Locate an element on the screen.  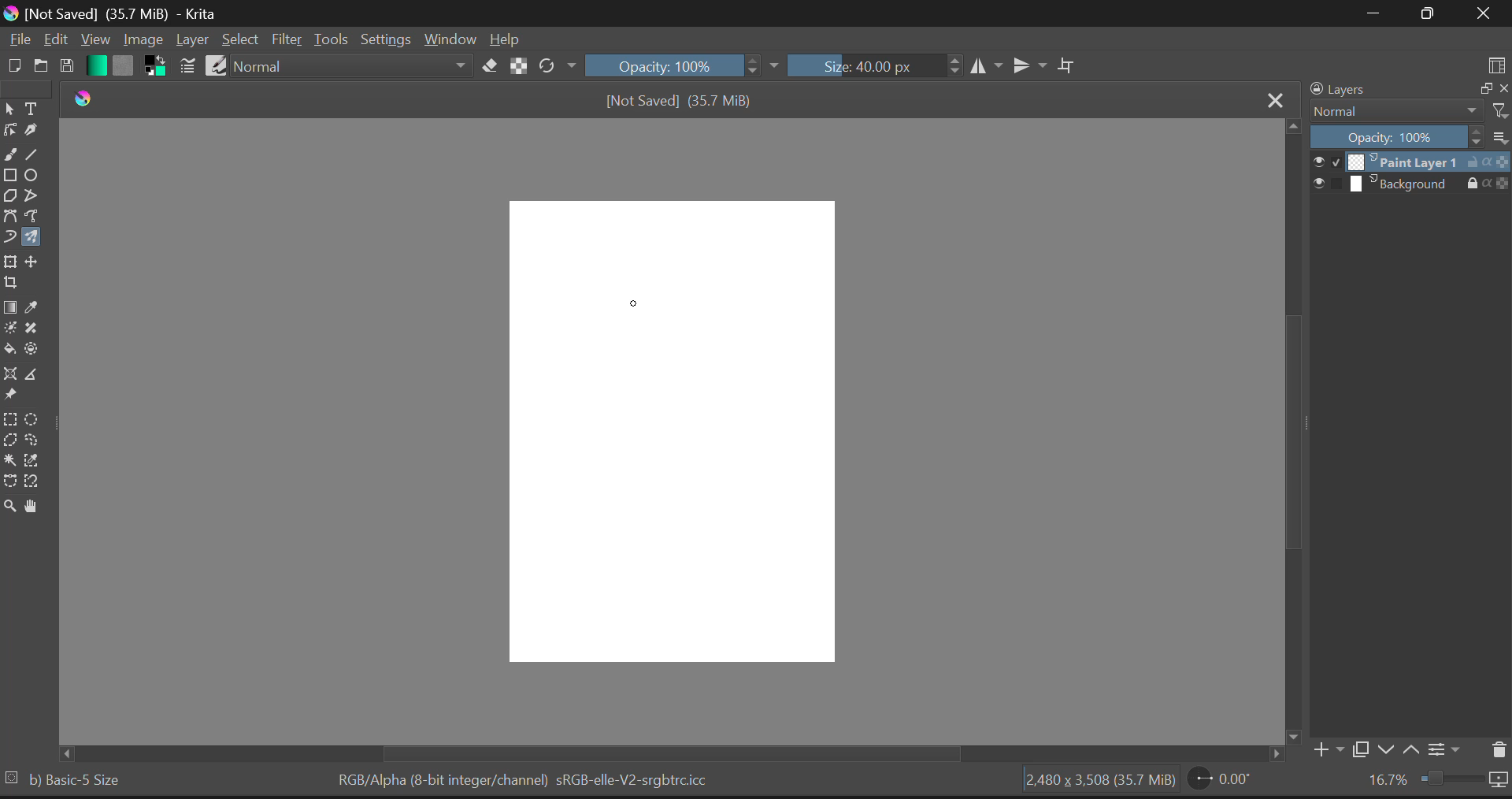
Enclose and Fill is located at coordinates (34, 351).